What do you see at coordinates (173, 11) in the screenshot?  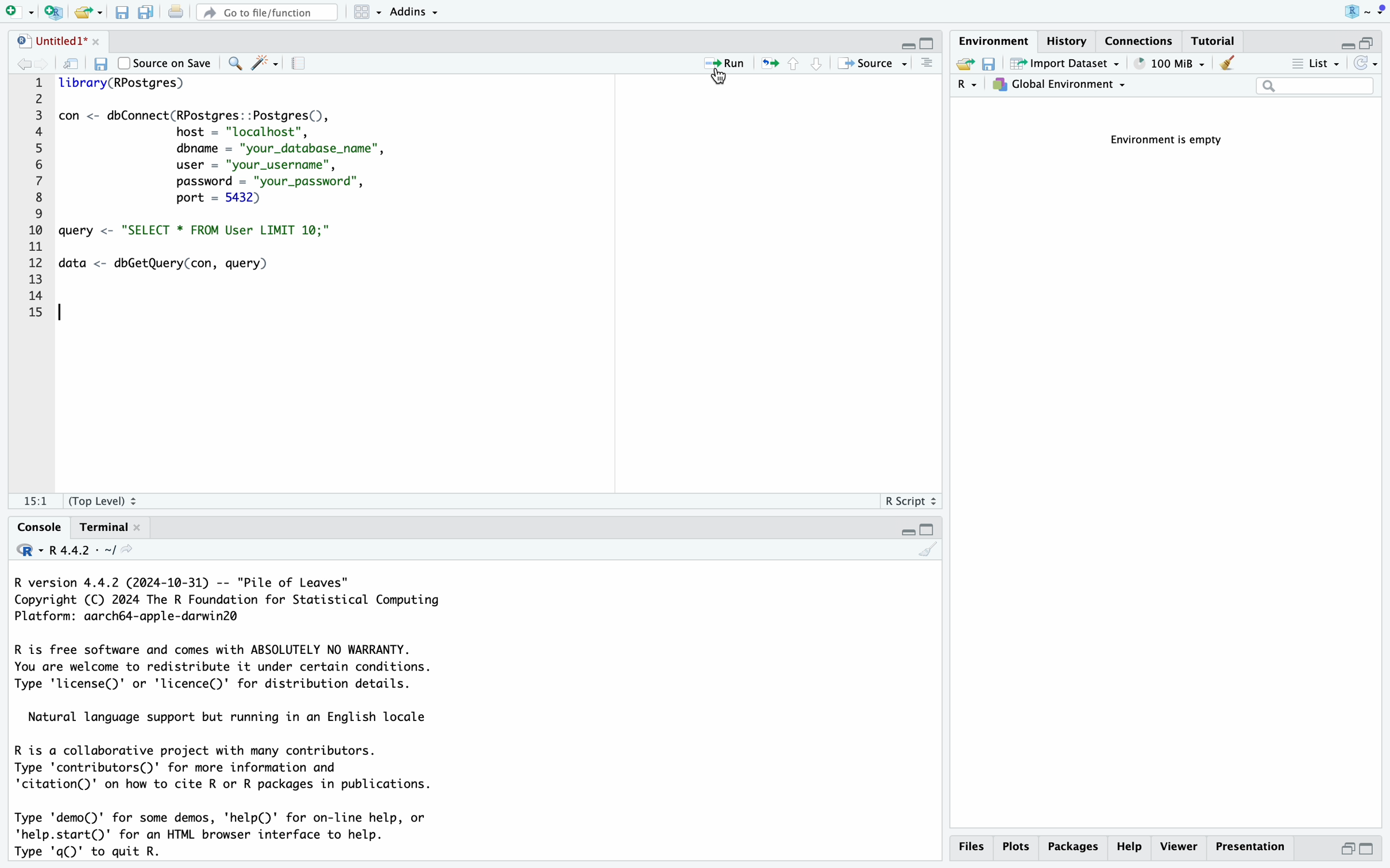 I see `print the current file` at bounding box center [173, 11].